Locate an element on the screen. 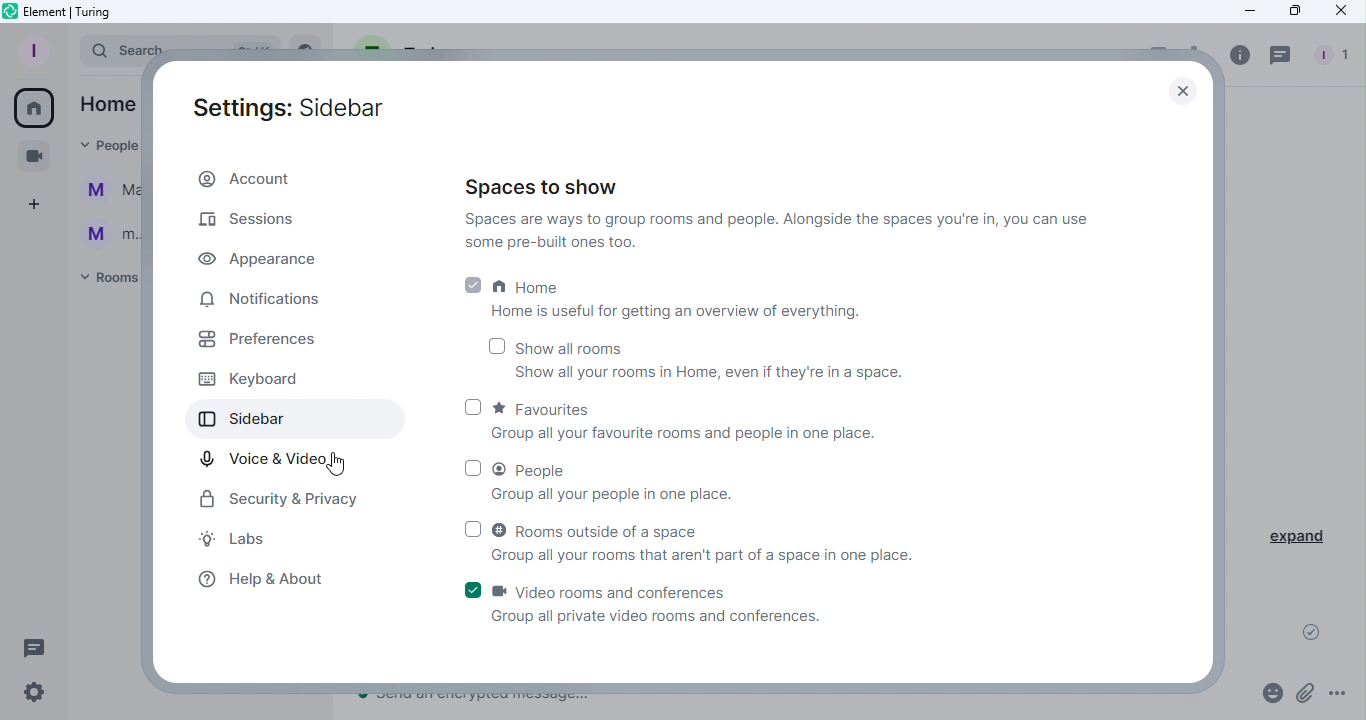 The image size is (1366, 720). Appearance is located at coordinates (248, 263).